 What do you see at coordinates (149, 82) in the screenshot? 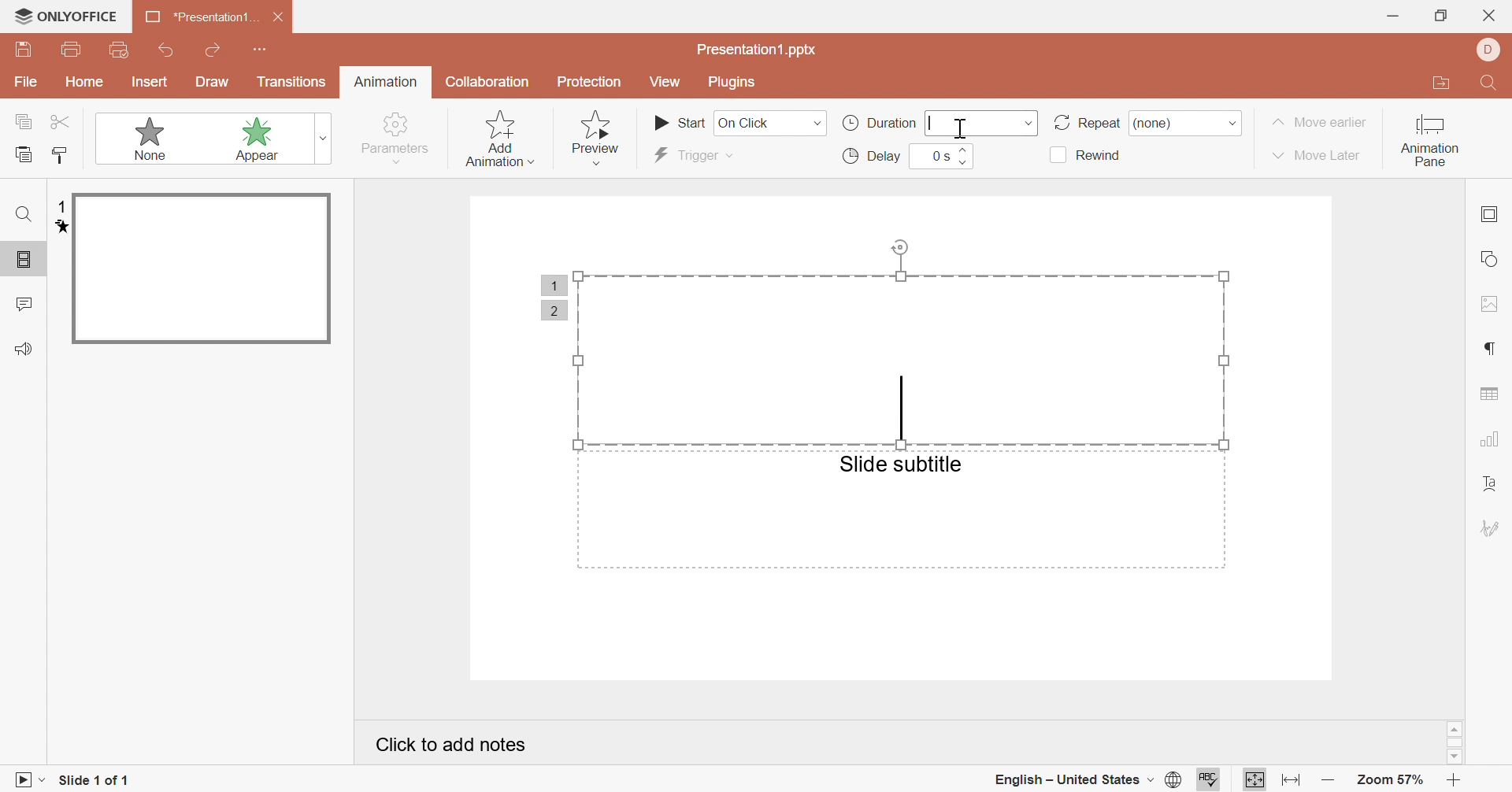
I see `insert` at bounding box center [149, 82].